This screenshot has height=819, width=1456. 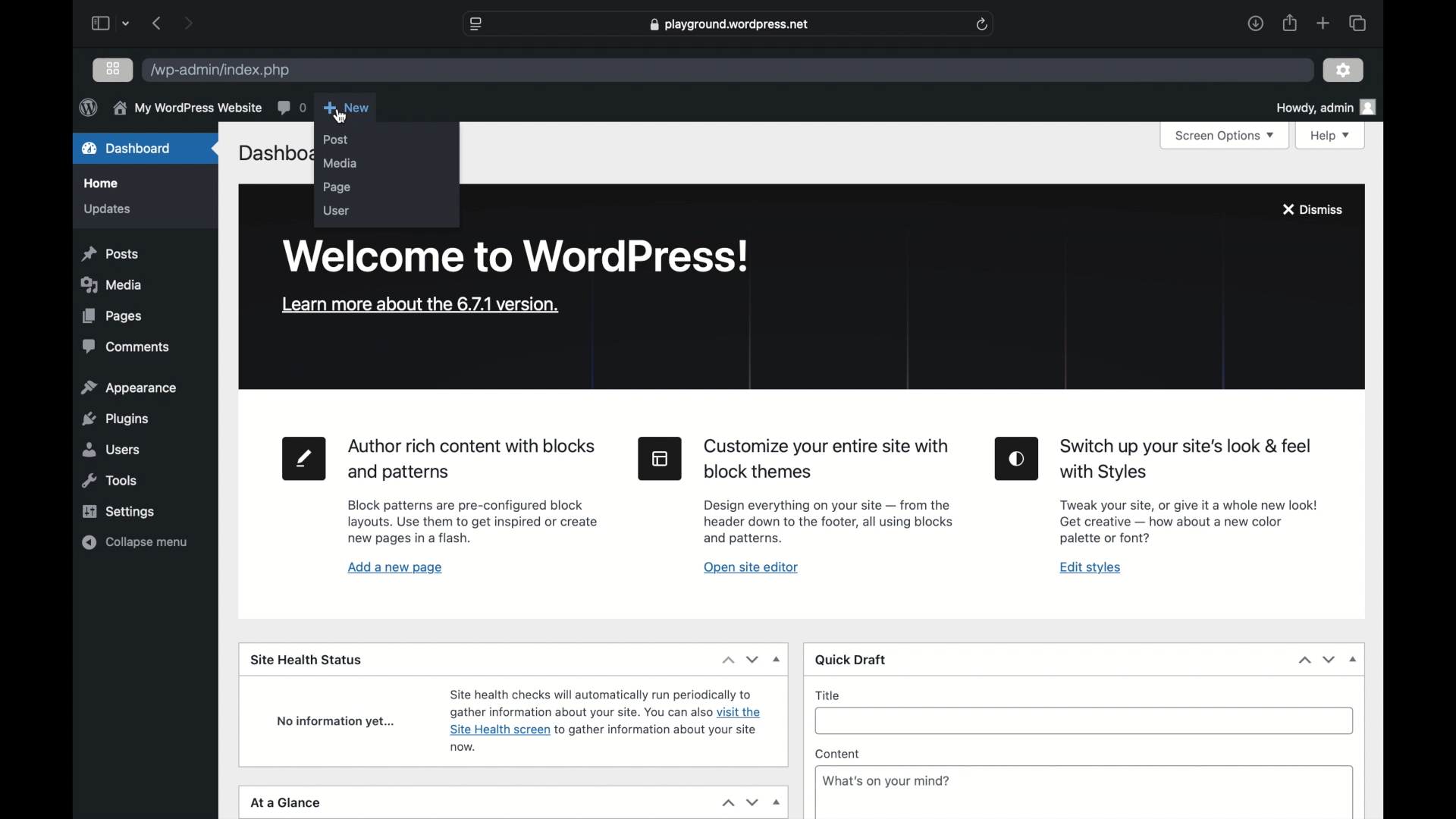 What do you see at coordinates (829, 695) in the screenshot?
I see `title` at bounding box center [829, 695].